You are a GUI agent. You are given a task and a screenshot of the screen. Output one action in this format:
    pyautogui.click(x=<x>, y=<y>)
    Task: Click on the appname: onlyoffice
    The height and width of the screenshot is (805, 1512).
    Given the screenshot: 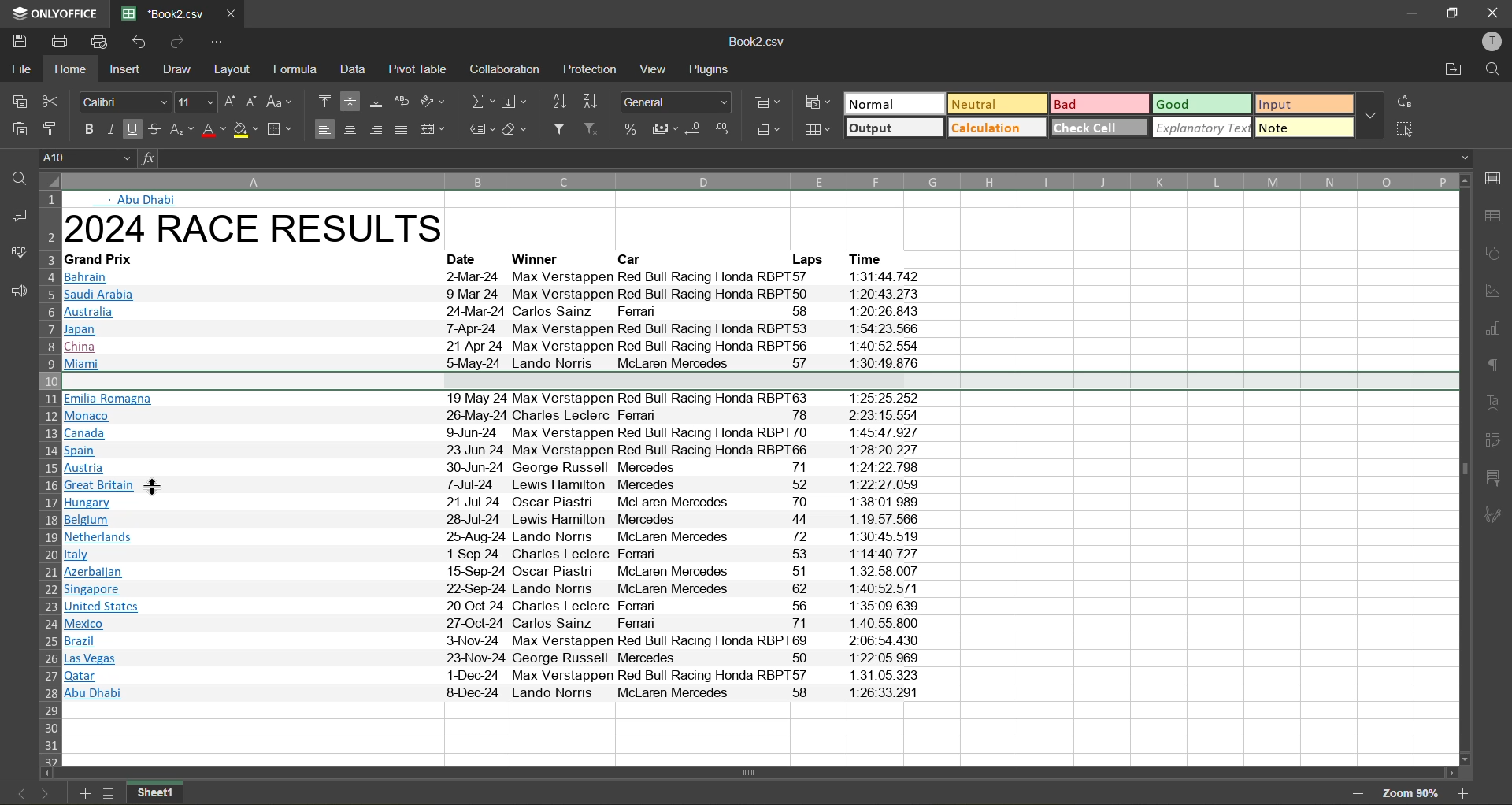 What is the action you would take?
    pyautogui.click(x=51, y=13)
    